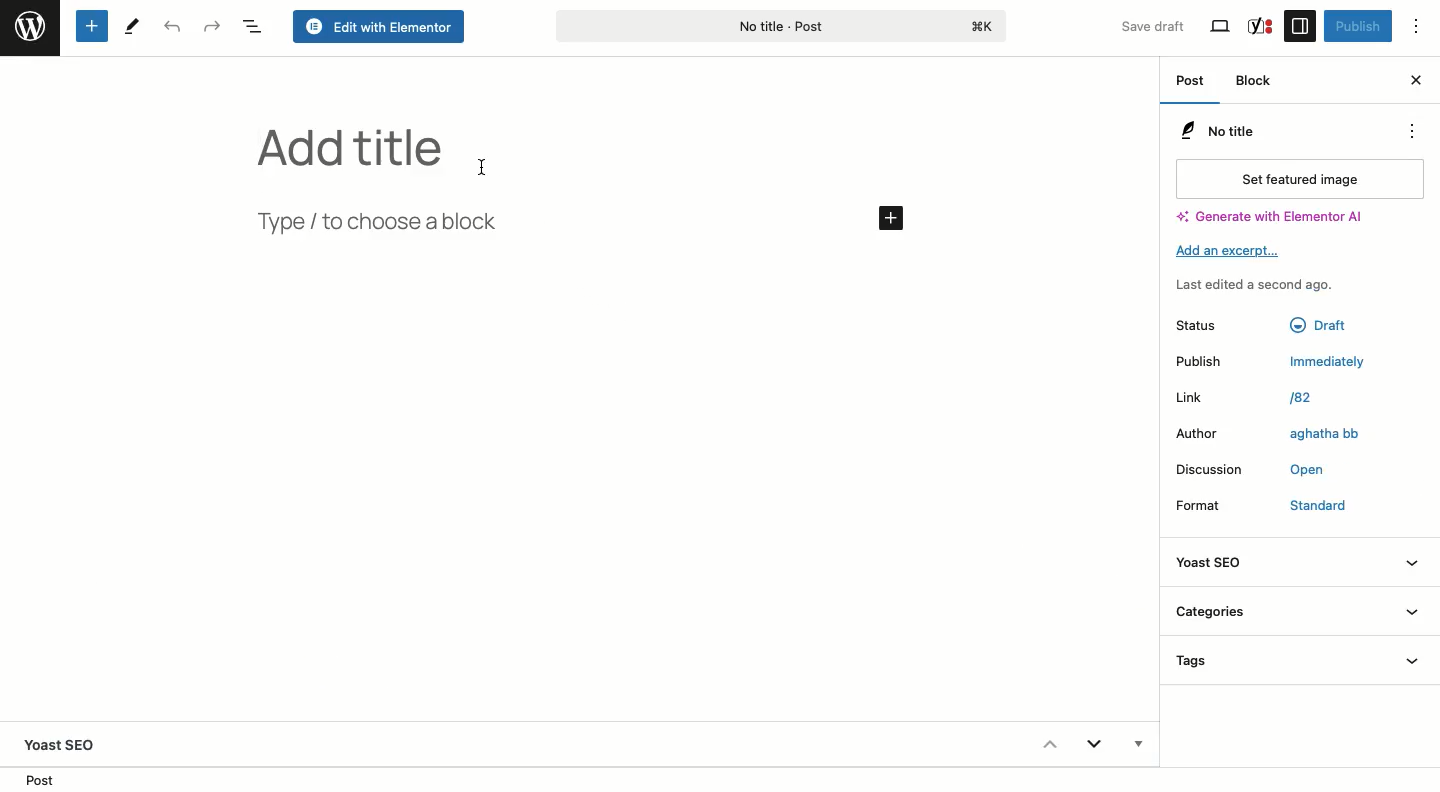  I want to click on Format Standard, so click(1210, 503).